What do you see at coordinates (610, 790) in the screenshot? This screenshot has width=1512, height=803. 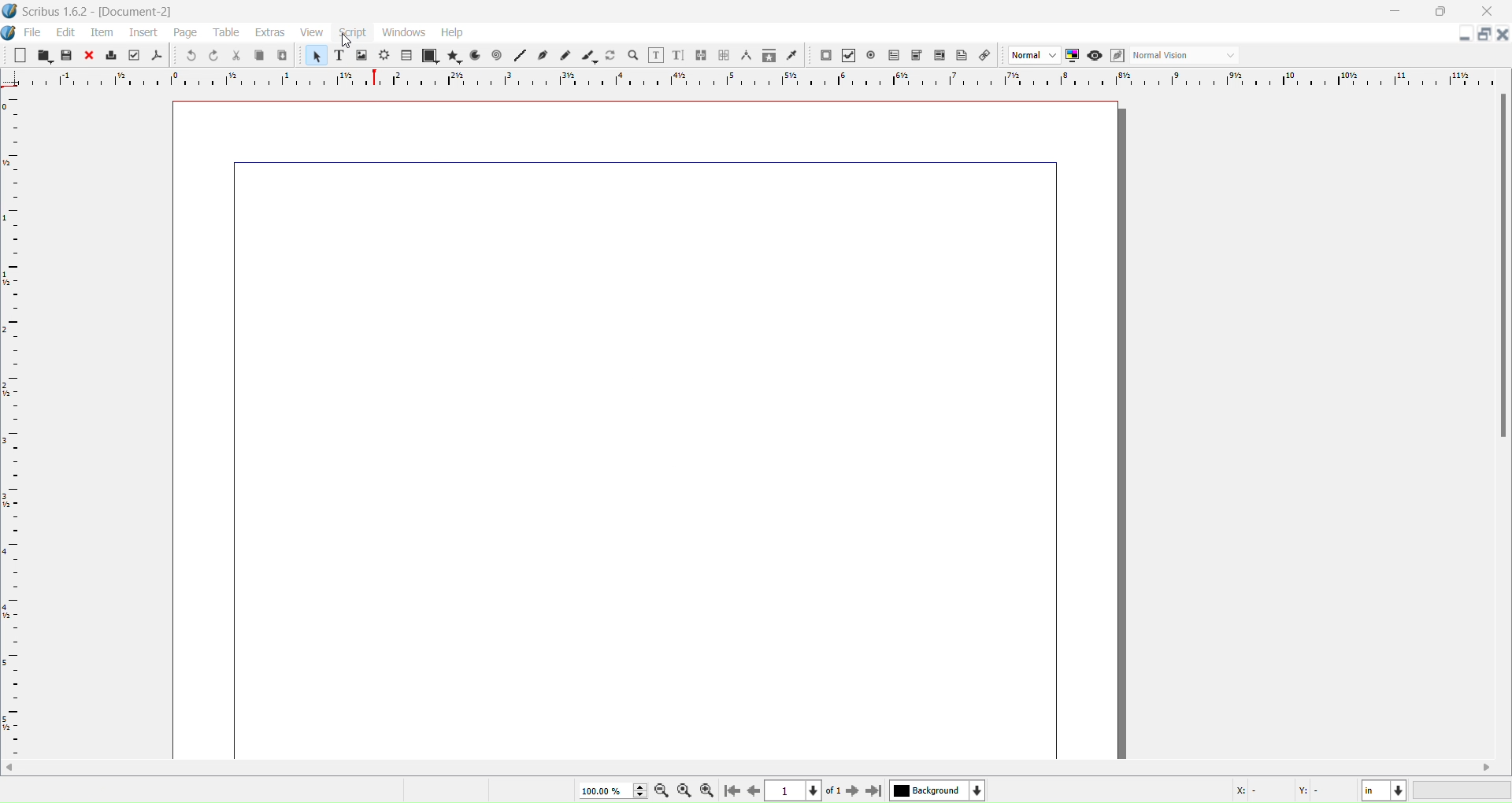 I see `Current Zoom Level` at bounding box center [610, 790].